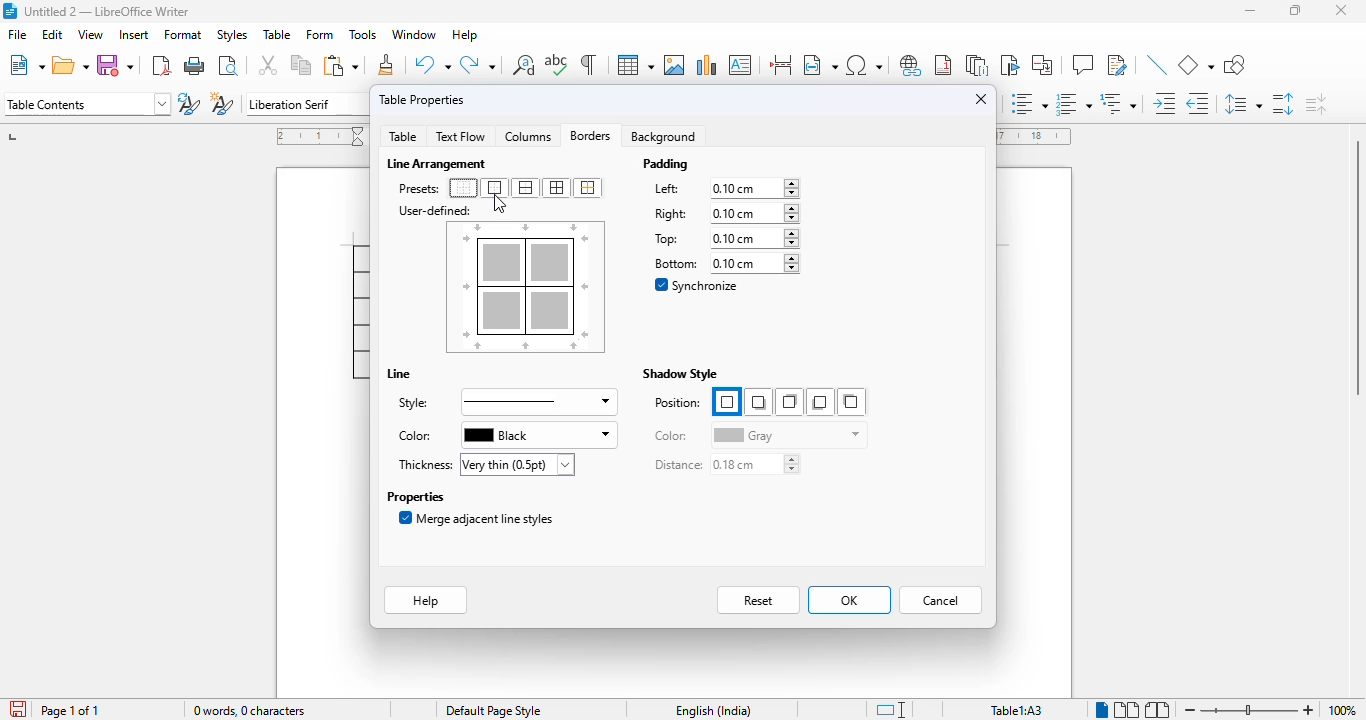 The height and width of the screenshot is (720, 1366). Describe the element at coordinates (388, 64) in the screenshot. I see `clone formatting` at that location.